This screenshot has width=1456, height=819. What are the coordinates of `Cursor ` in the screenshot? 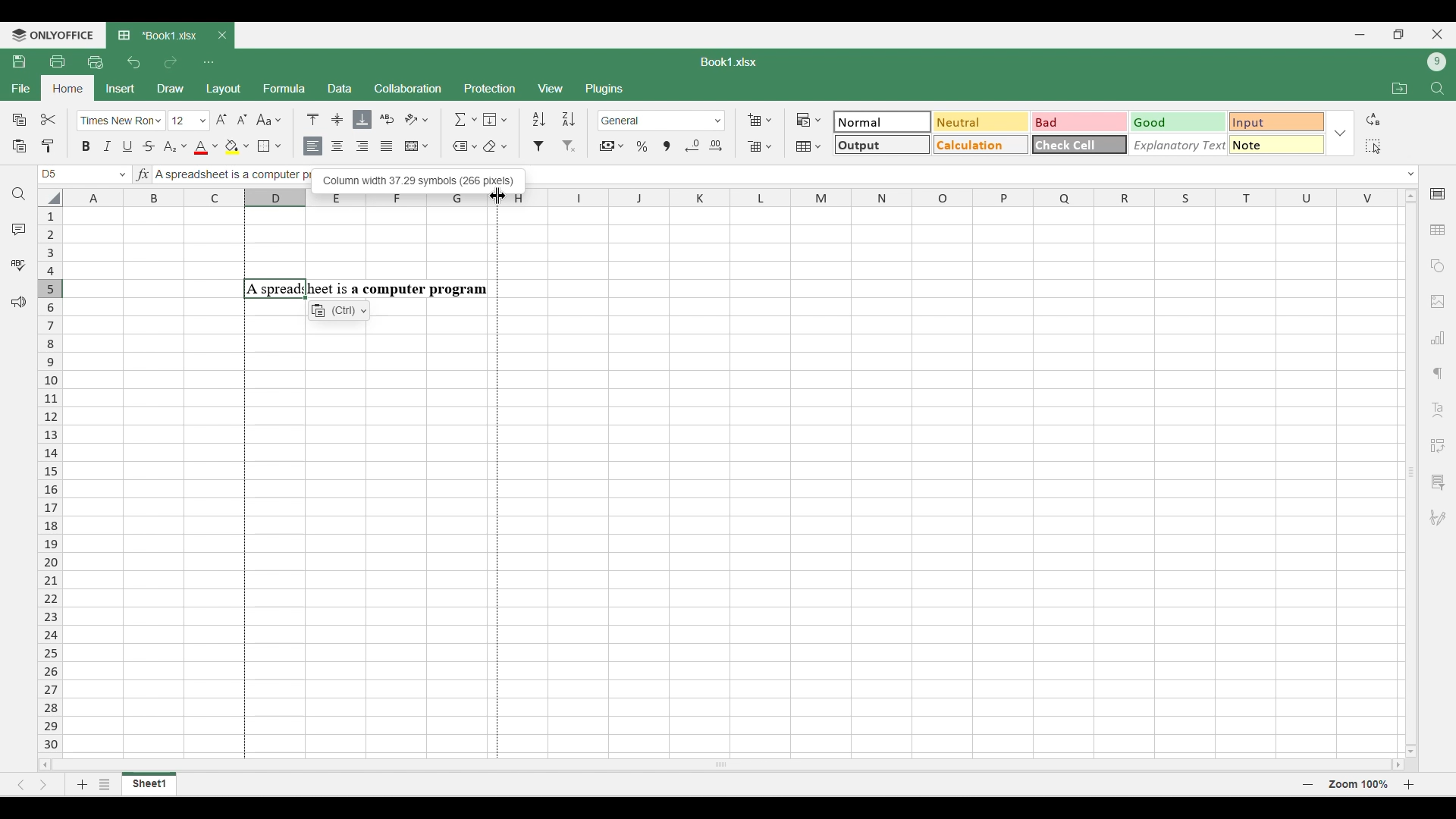 It's located at (496, 193).